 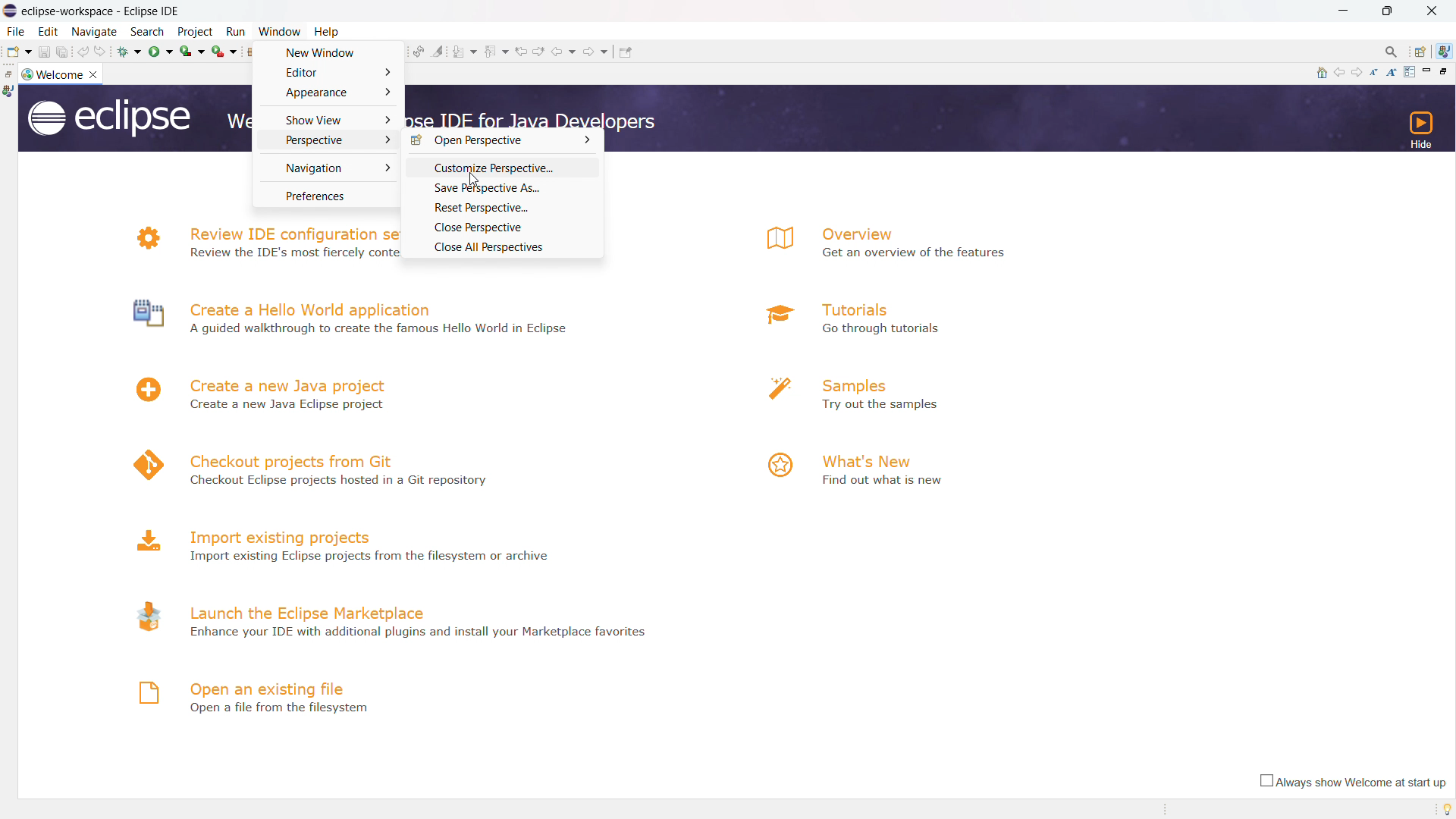 What do you see at coordinates (501, 208) in the screenshot?
I see `reset perspective` at bounding box center [501, 208].